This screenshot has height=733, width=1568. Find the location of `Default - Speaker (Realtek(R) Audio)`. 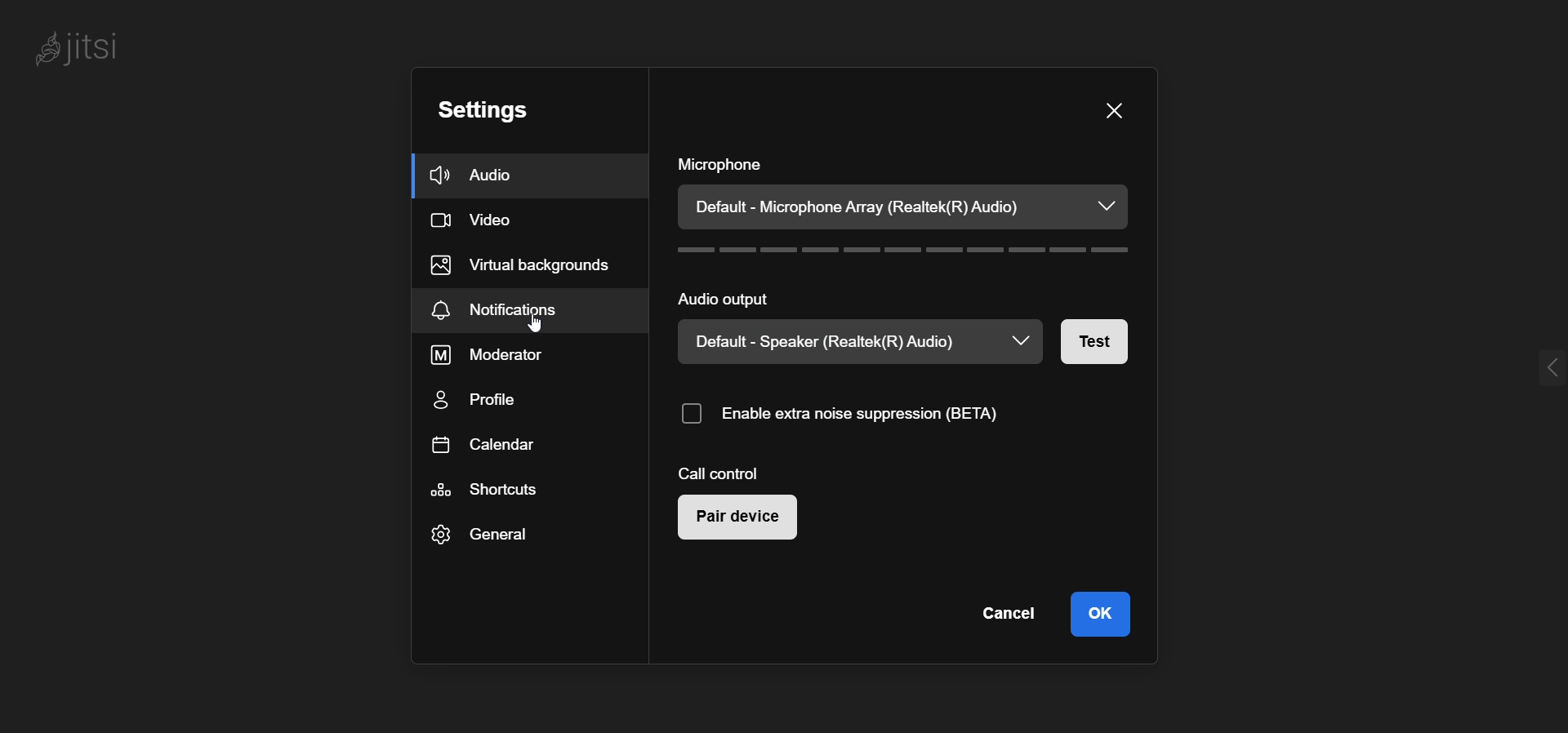

Default - Speaker (Realtek(R) Audio) is located at coordinates (824, 347).